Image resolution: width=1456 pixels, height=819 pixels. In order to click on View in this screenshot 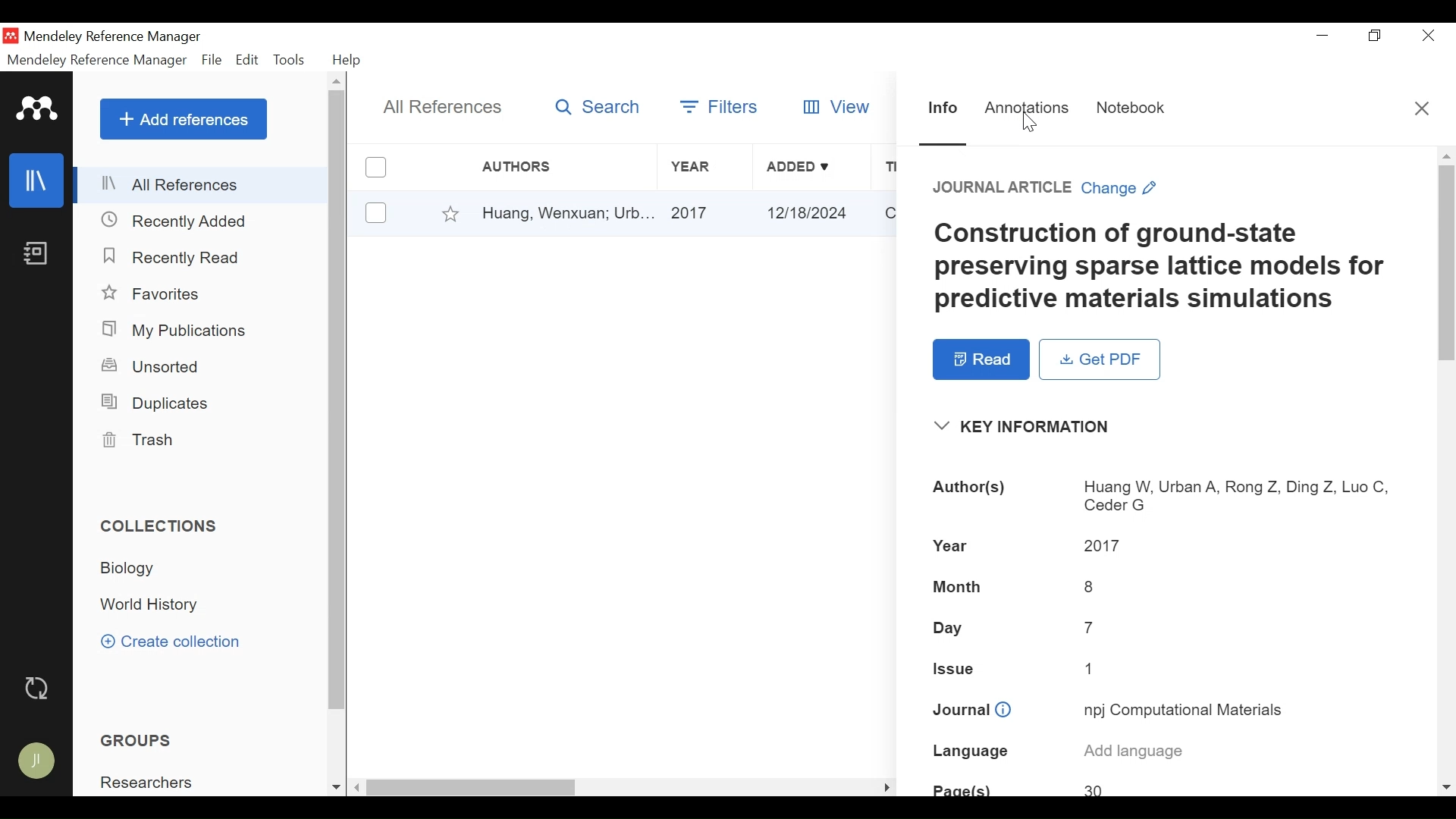, I will do `click(834, 106)`.